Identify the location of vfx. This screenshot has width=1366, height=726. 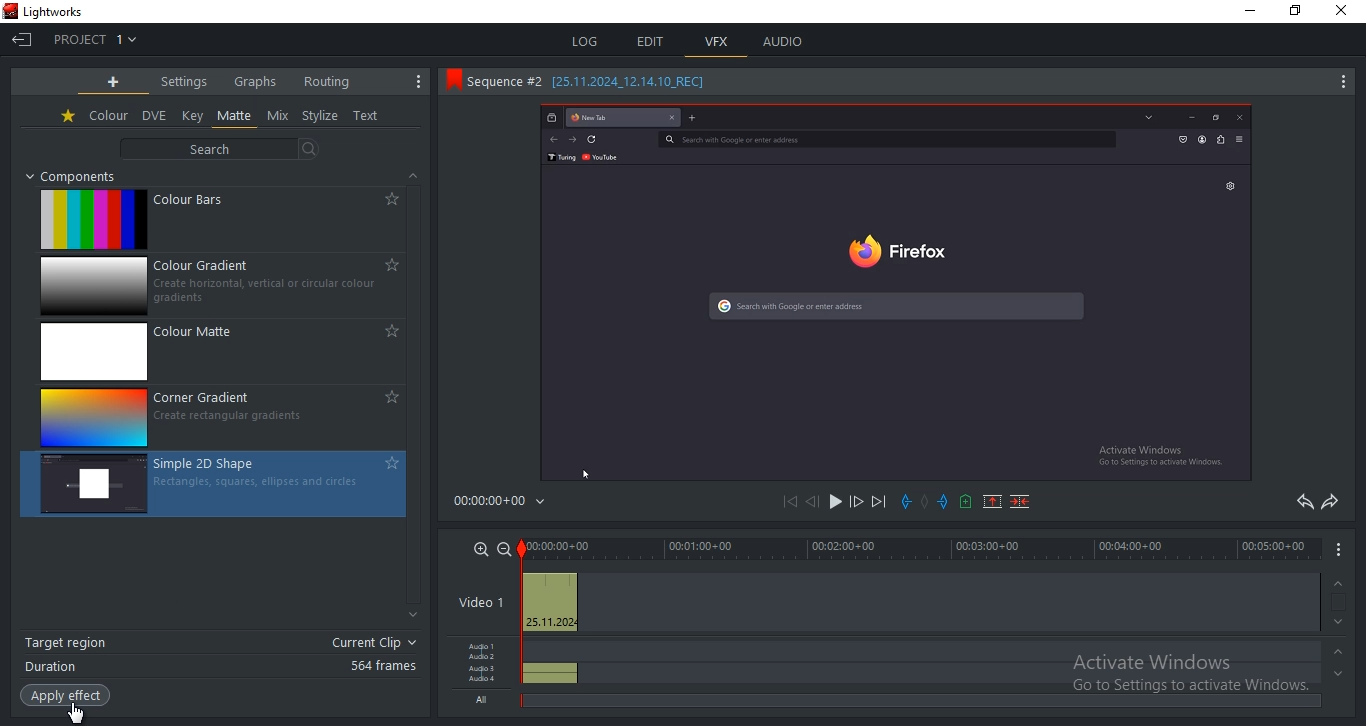
(717, 42).